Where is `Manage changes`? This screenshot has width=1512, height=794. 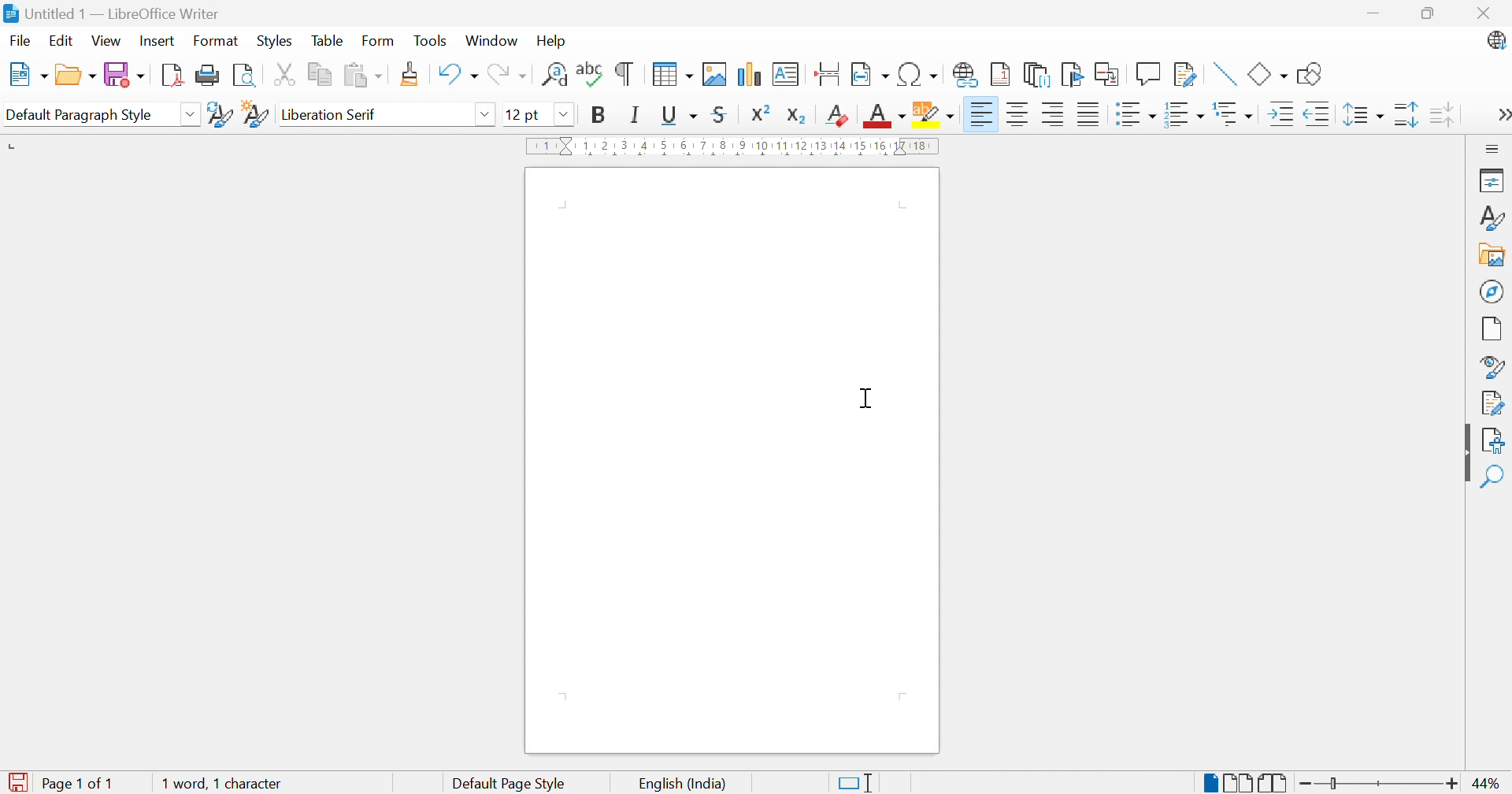 Manage changes is located at coordinates (1496, 404).